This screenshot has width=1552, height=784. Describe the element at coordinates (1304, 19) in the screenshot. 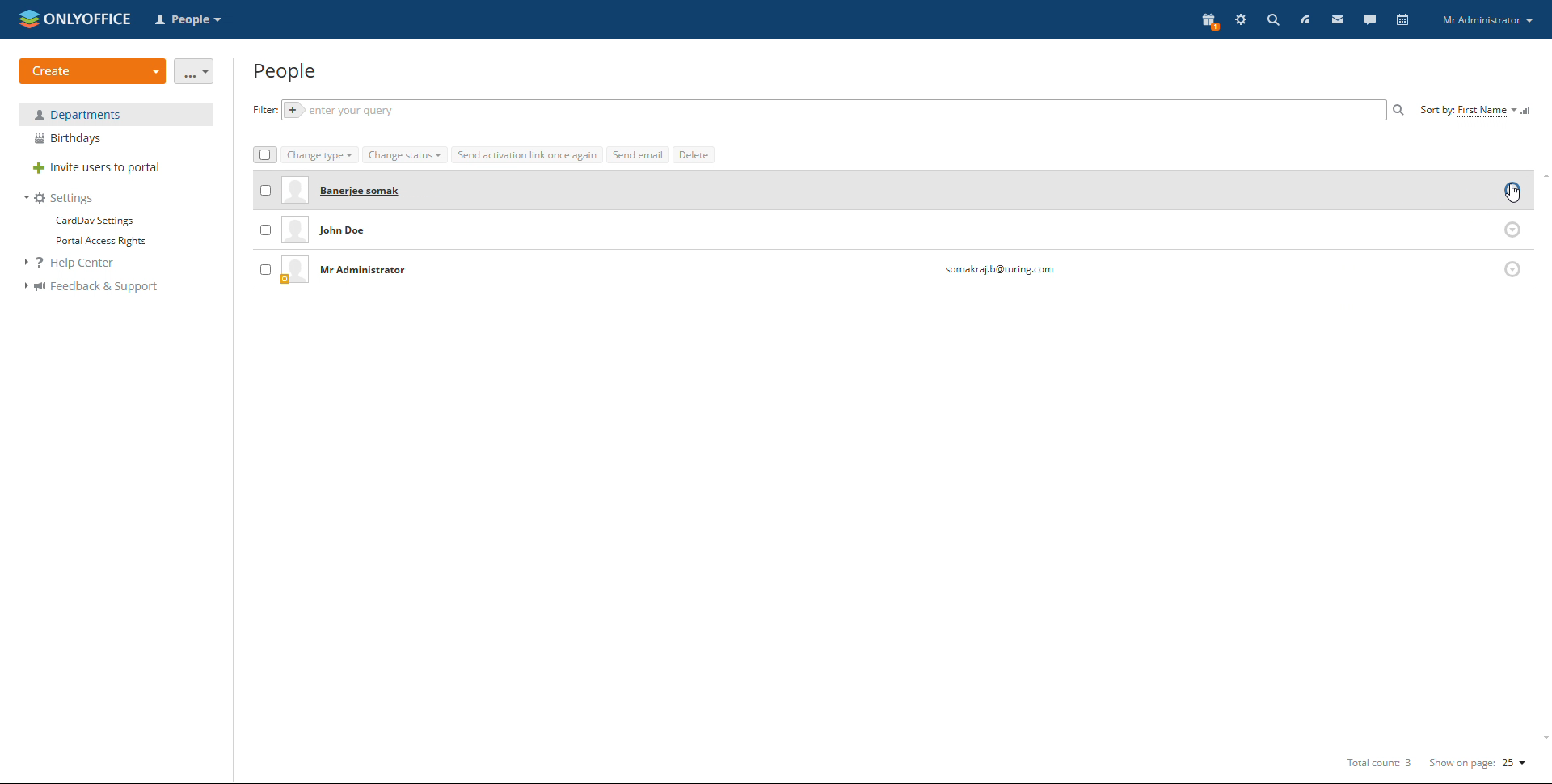

I see `feed` at that location.